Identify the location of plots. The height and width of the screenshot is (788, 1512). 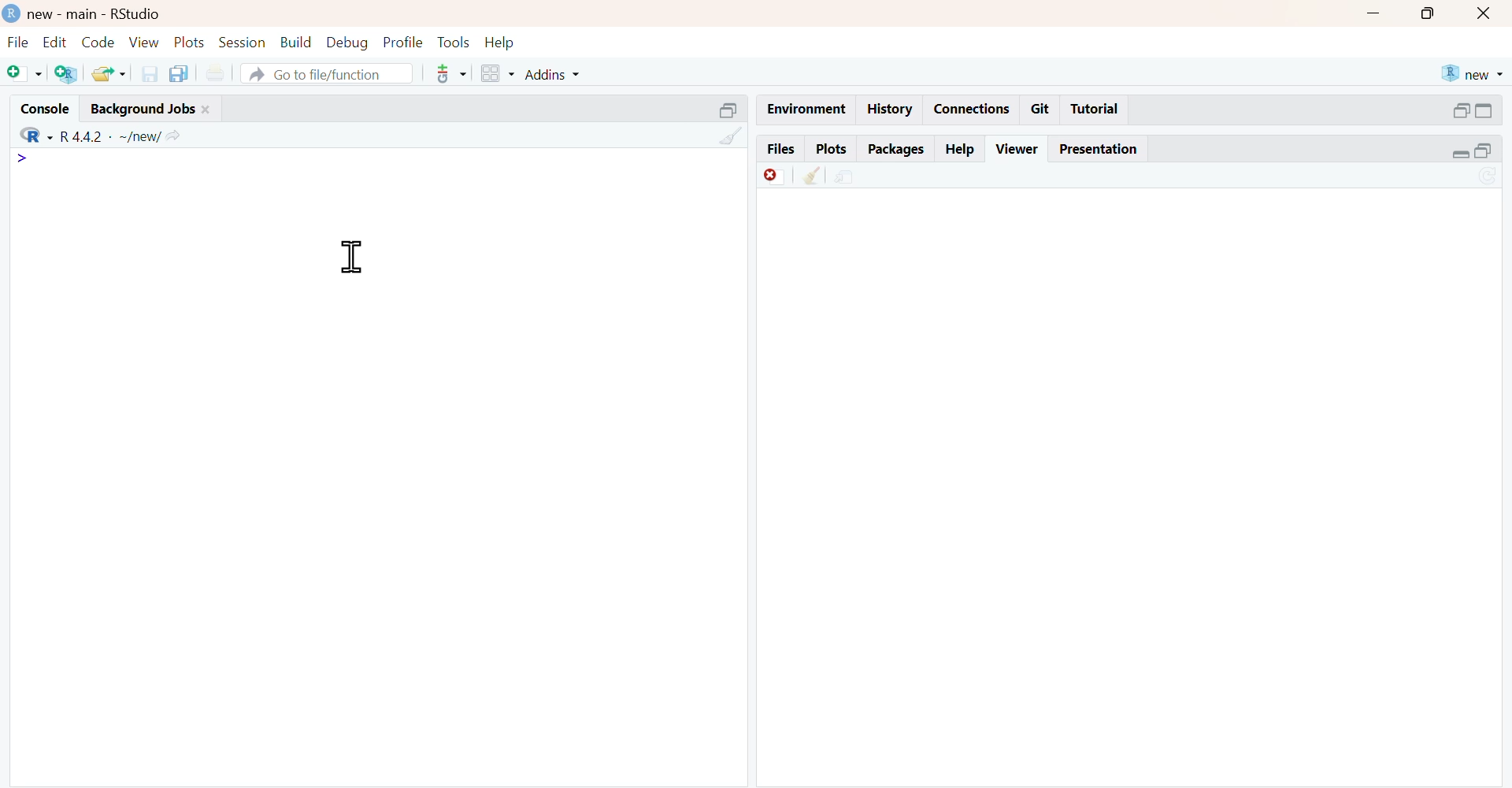
(191, 42).